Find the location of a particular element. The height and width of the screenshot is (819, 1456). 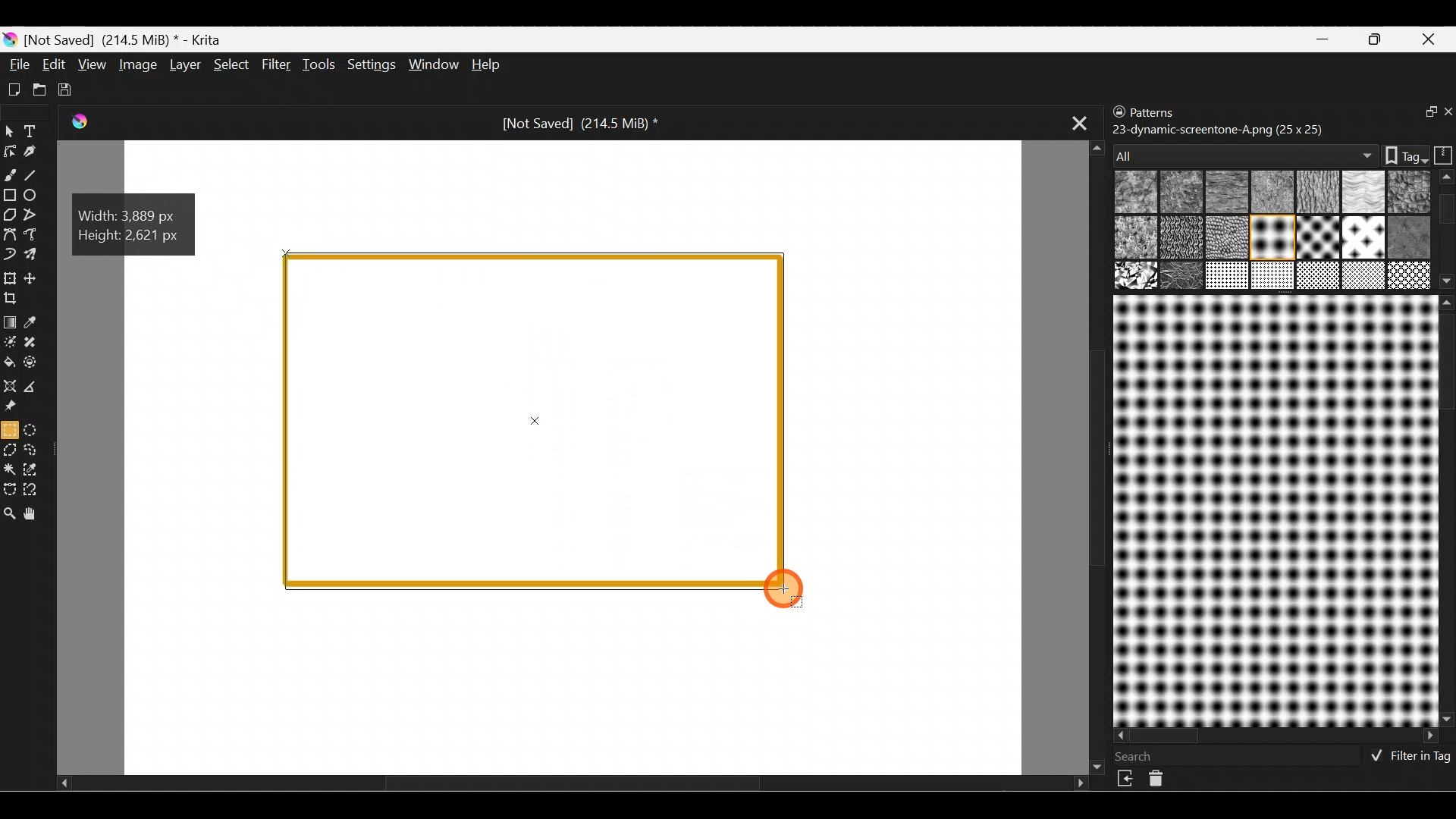

Layer is located at coordinates (184, 64).